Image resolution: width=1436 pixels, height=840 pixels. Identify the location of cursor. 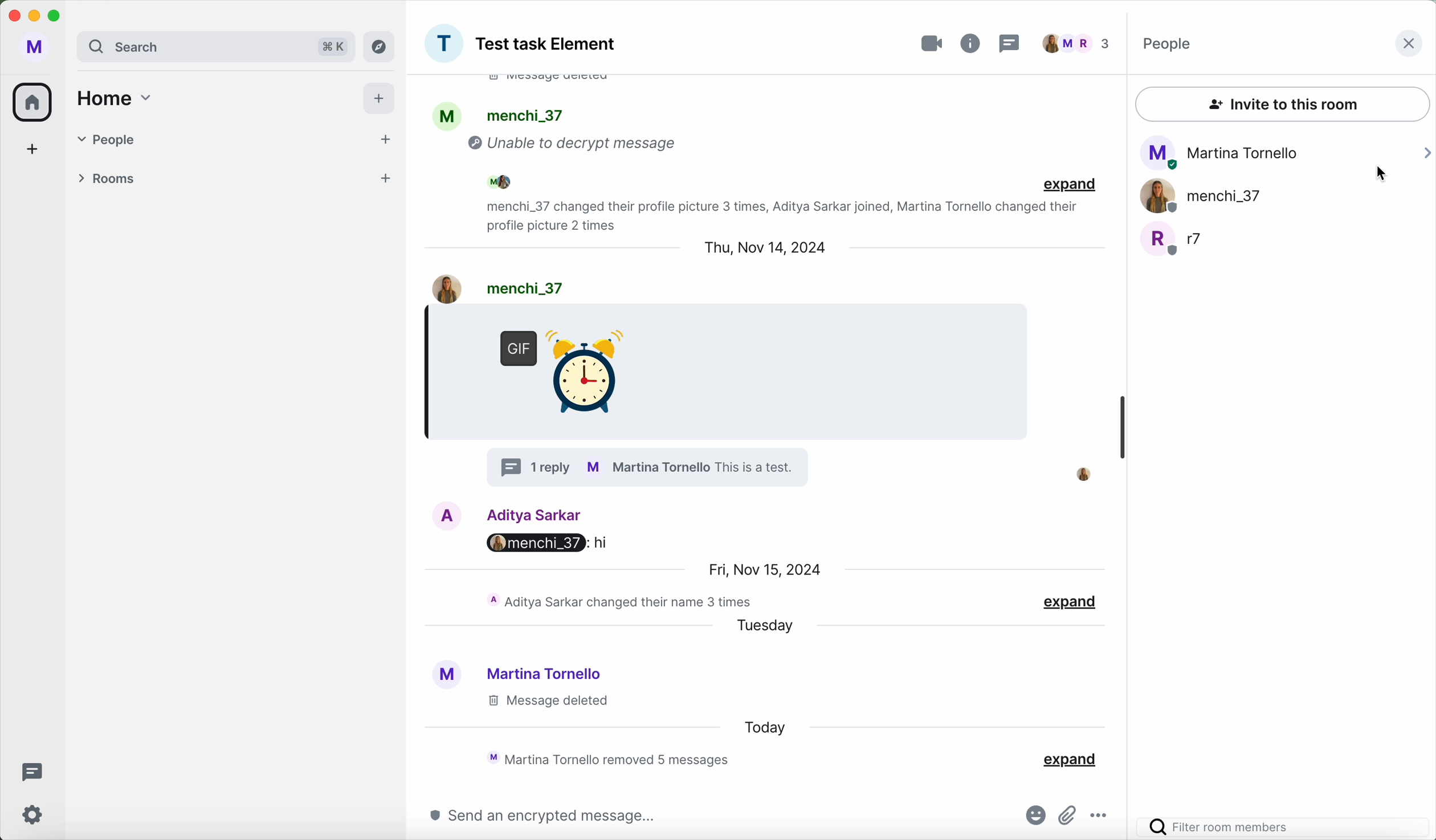
(1383, 177).